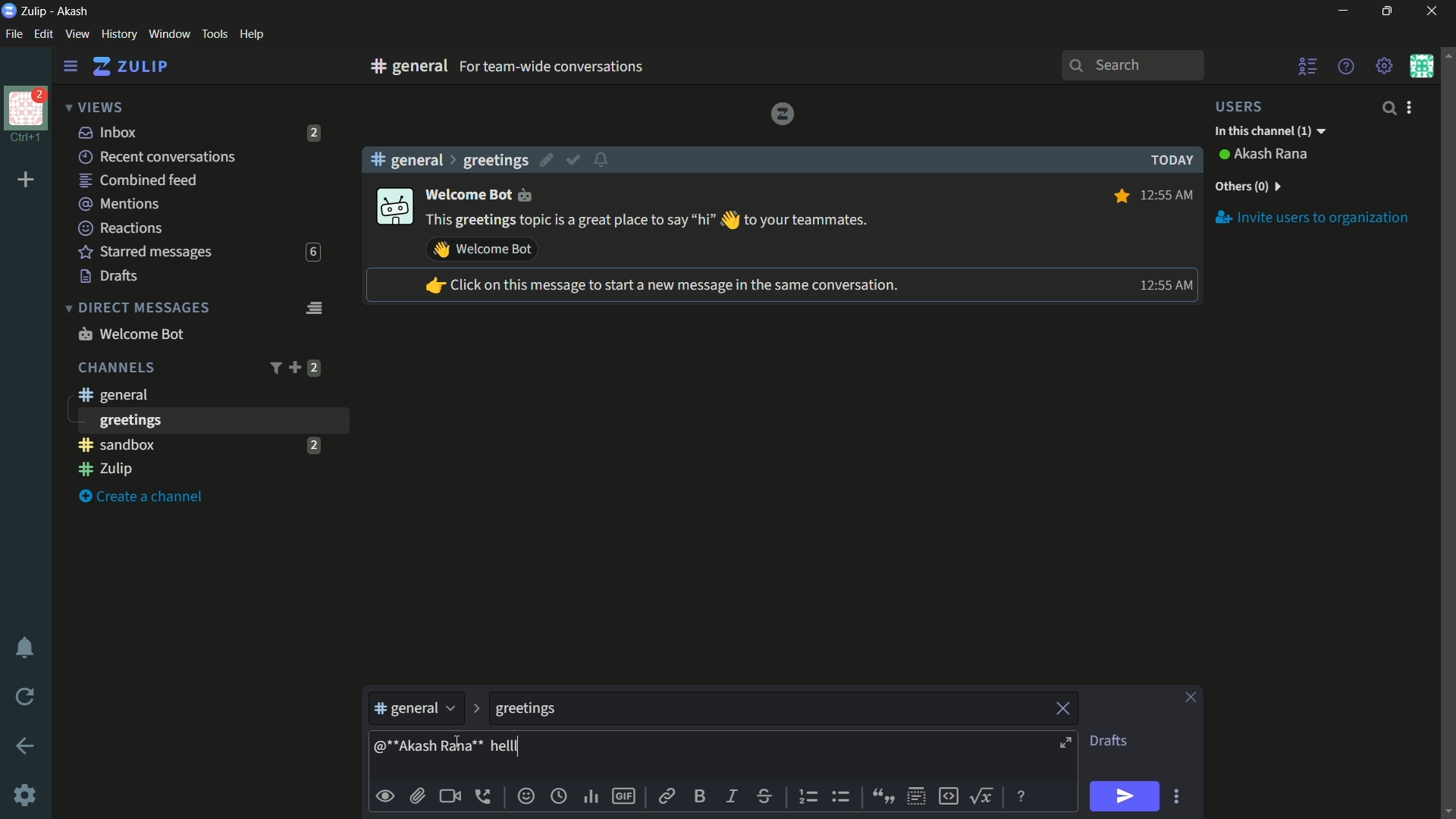 The width and height of the screenshot is (1456, 819). I want to click on mark as resolved, so click(575, 161).